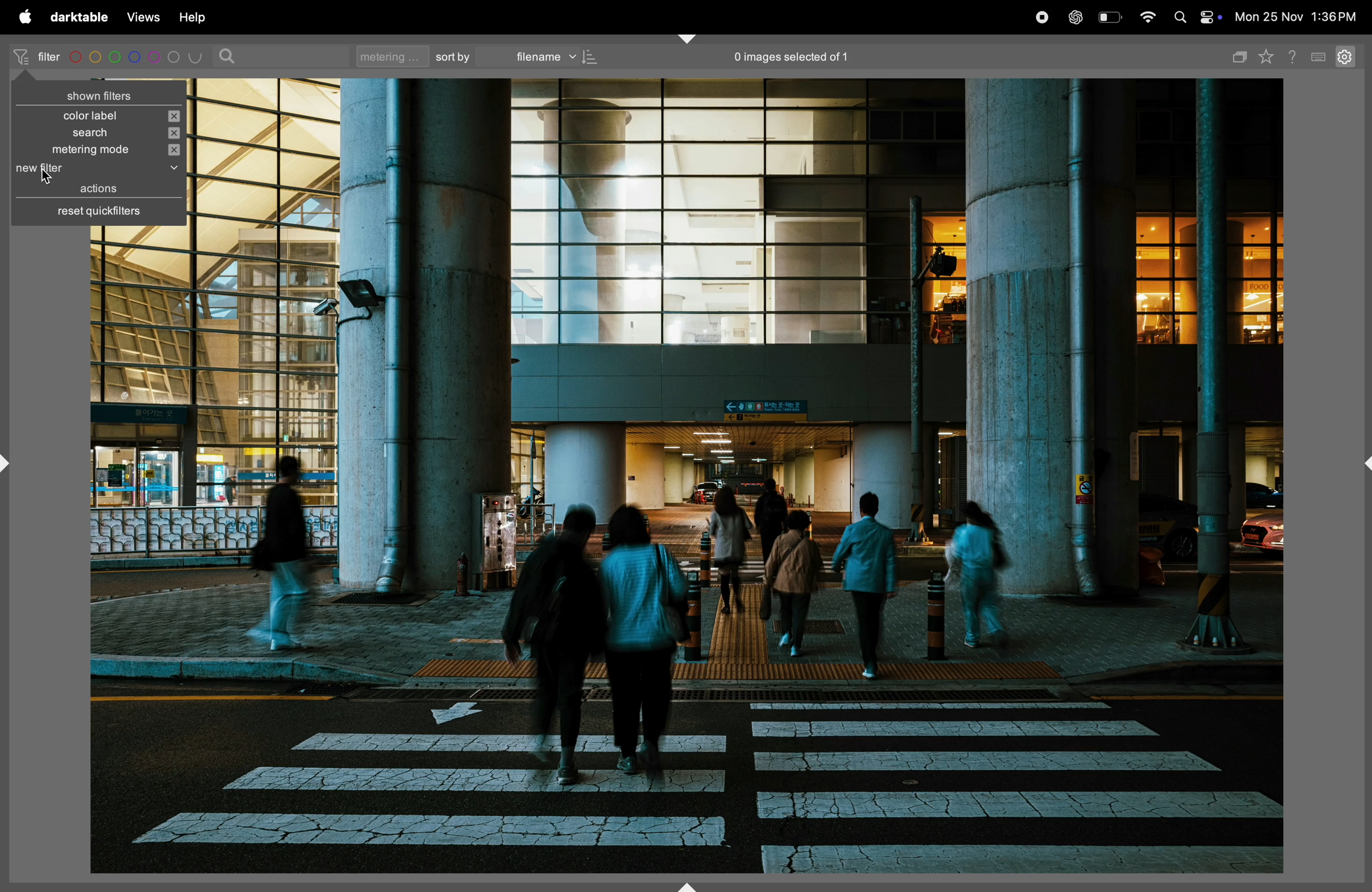  I want to click on color label, so click(100, 115).